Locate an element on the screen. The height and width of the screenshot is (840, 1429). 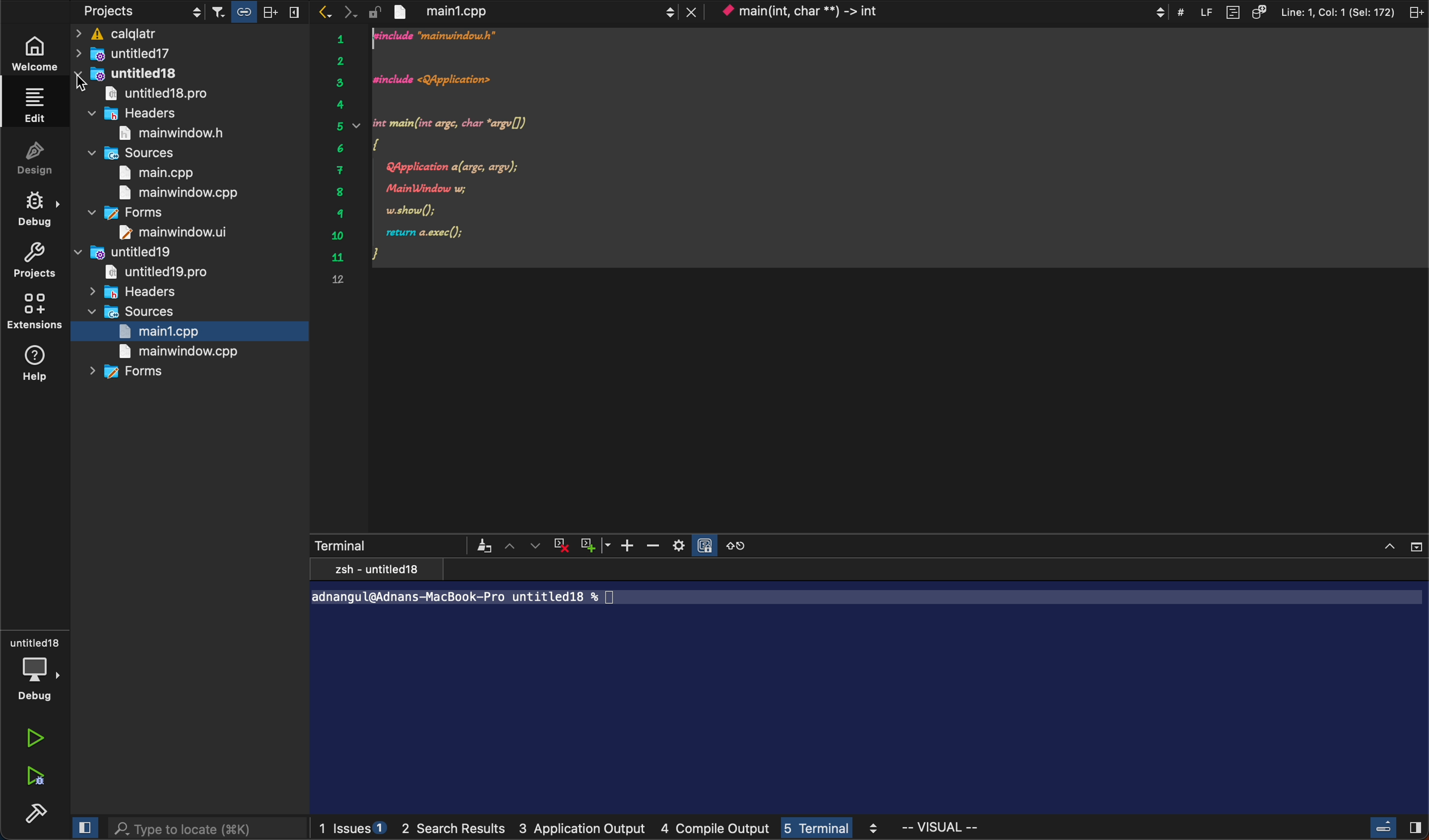
debug is located at coordinates (38, 210).